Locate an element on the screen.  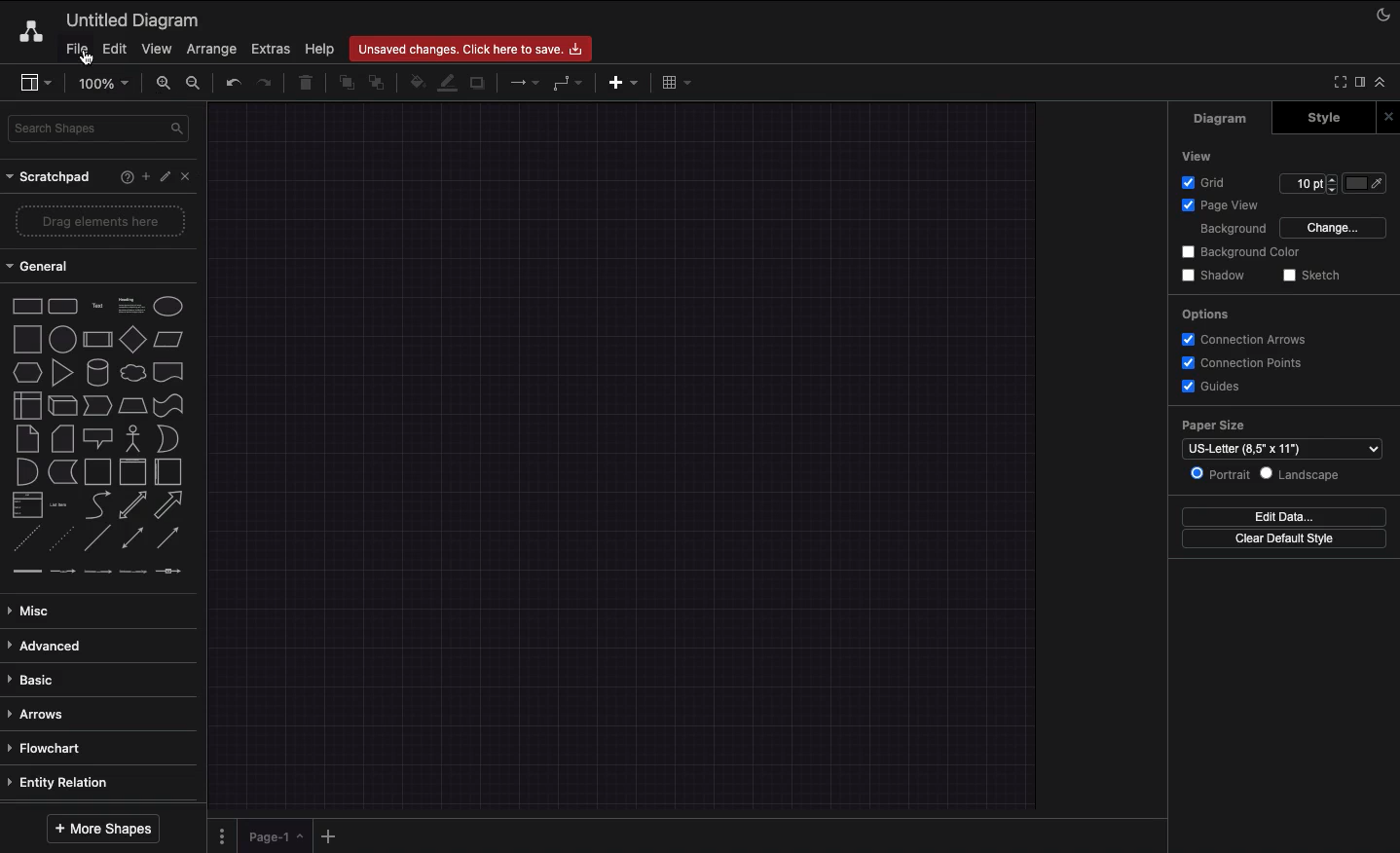
Container is located at coordinates (97, 471).